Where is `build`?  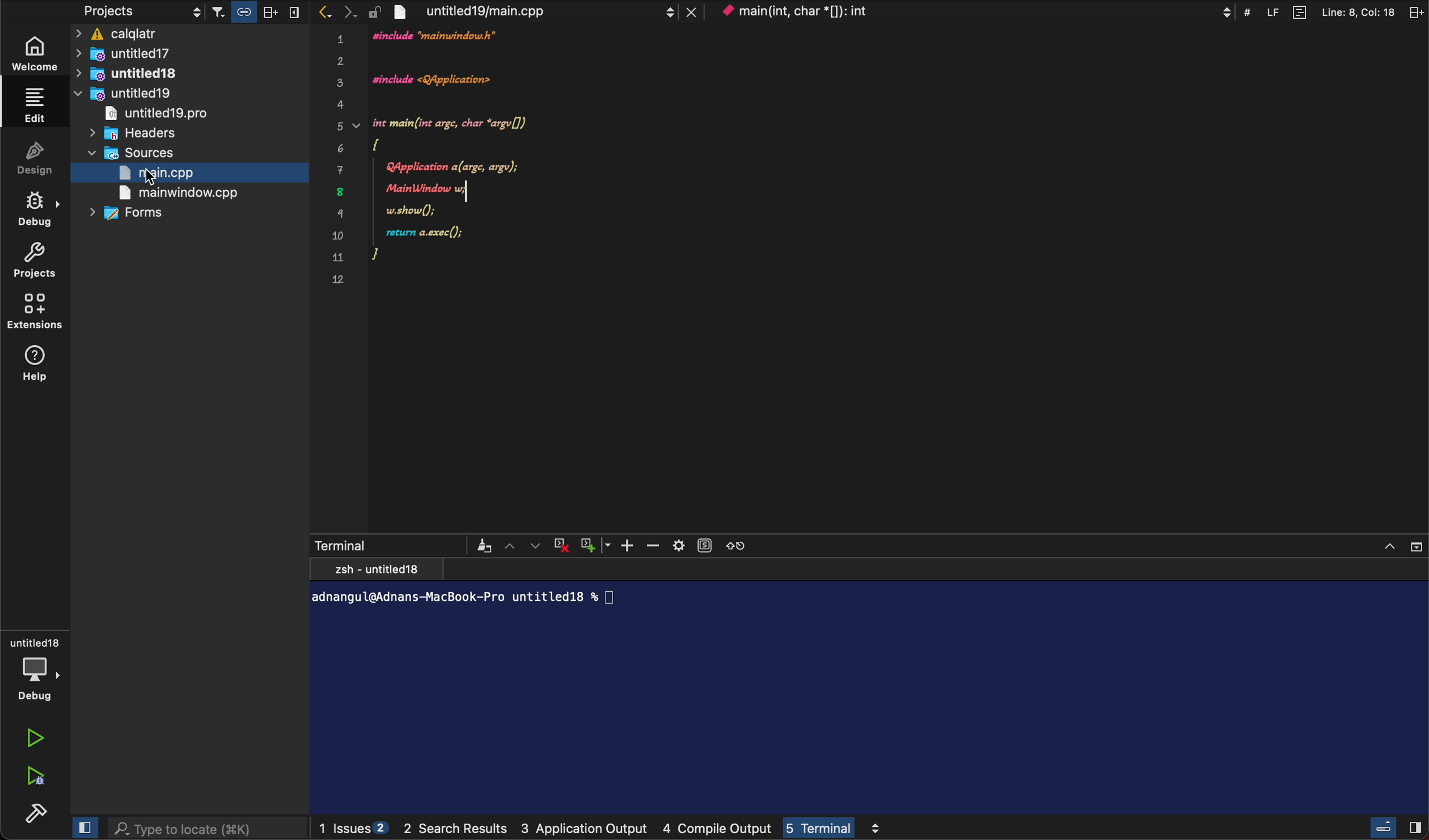 build is located at coordinates (37, 813).